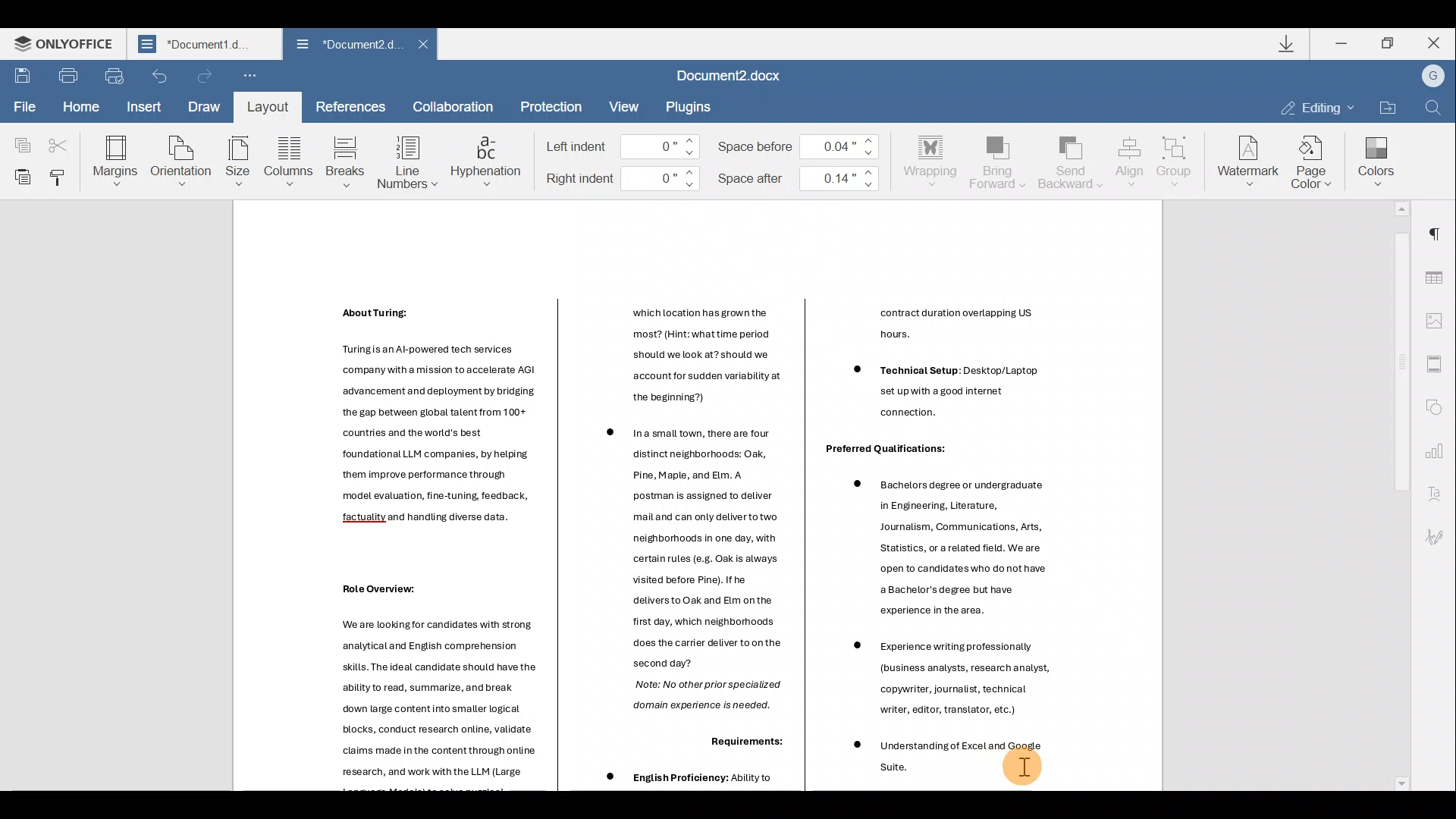 The height and width of the screenshot is (819, 1456). What do you see at coordinates (1396, 495) in the screenshot?
I see `Scroll bar` at bounding box center [1396, 495].